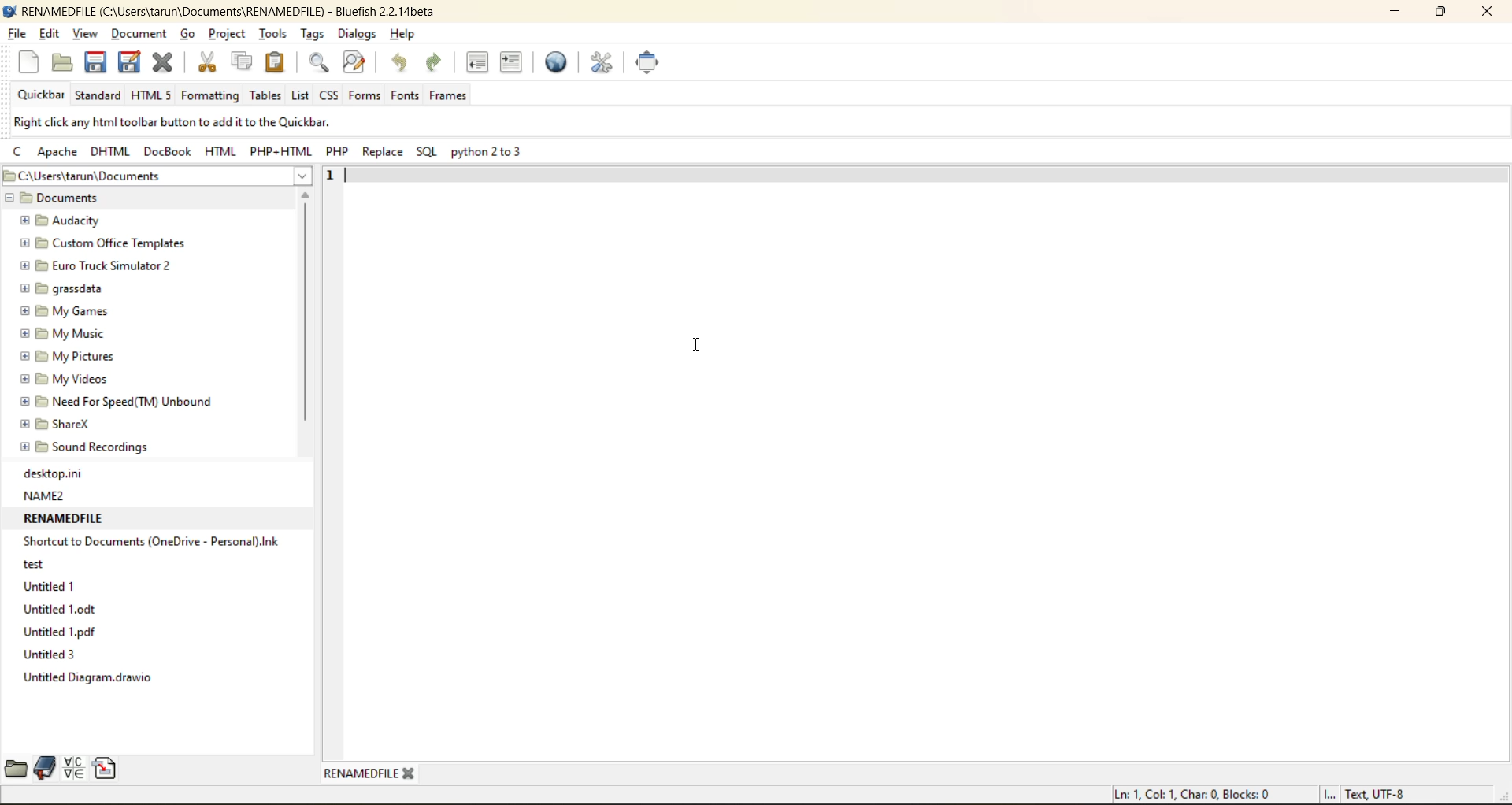  What do you see at coordinates (107, 768) in the screenshot?
I see `snippets` at bounding box center [107, 768].